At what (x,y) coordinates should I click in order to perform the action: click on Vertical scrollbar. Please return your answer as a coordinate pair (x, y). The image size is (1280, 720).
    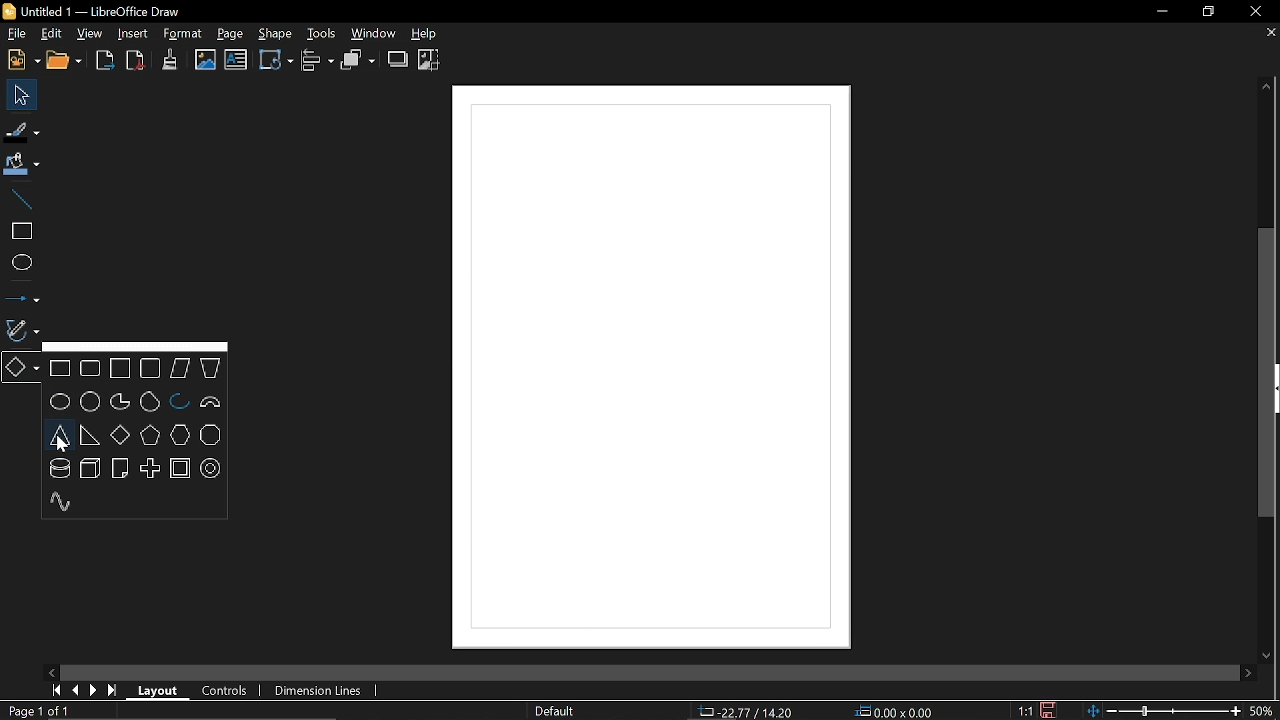
    Looking at the image, I should click on (1269, 373).